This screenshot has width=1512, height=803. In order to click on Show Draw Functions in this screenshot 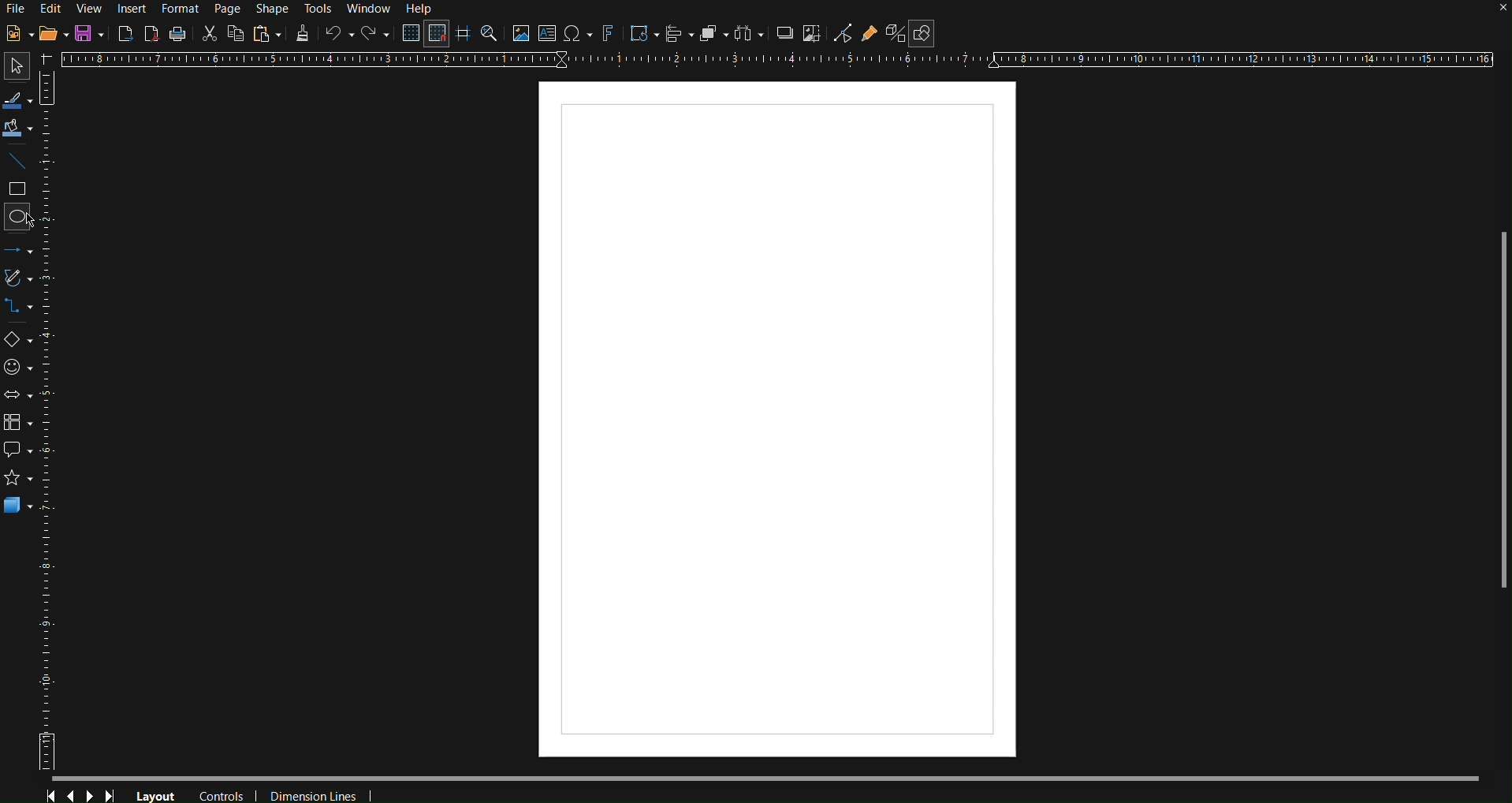, I will do `click(921, 34)`.